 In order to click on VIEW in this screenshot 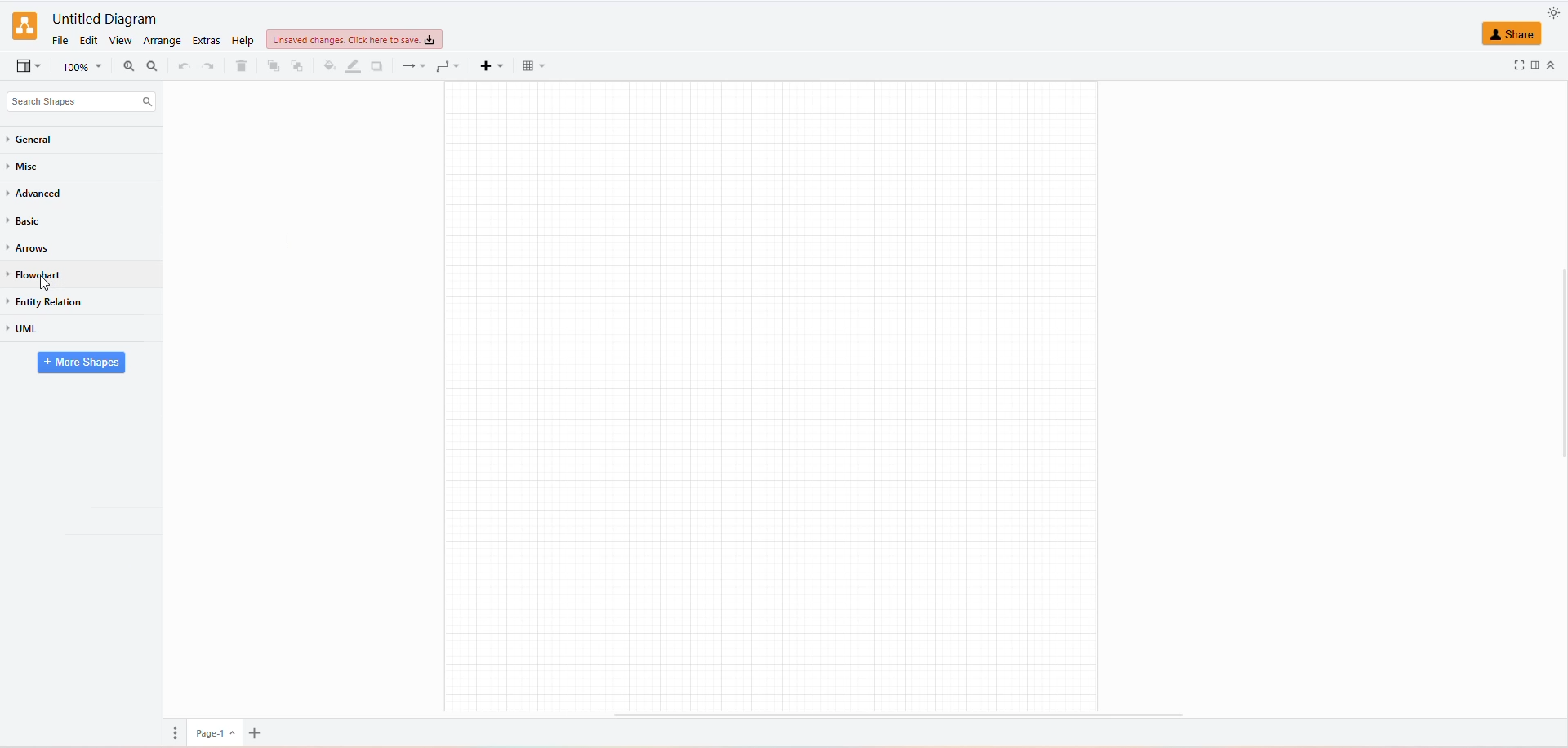, I will do `click(122, 41)`.